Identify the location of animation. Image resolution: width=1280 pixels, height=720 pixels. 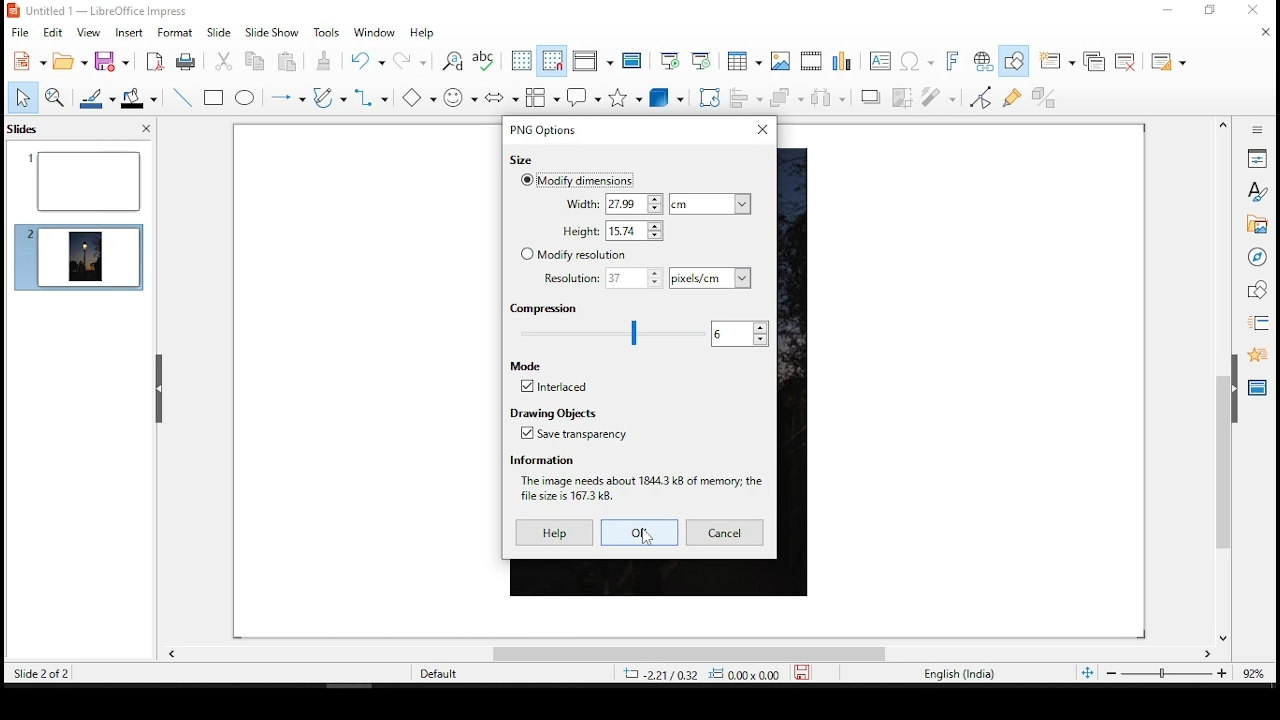
(1257, 355).